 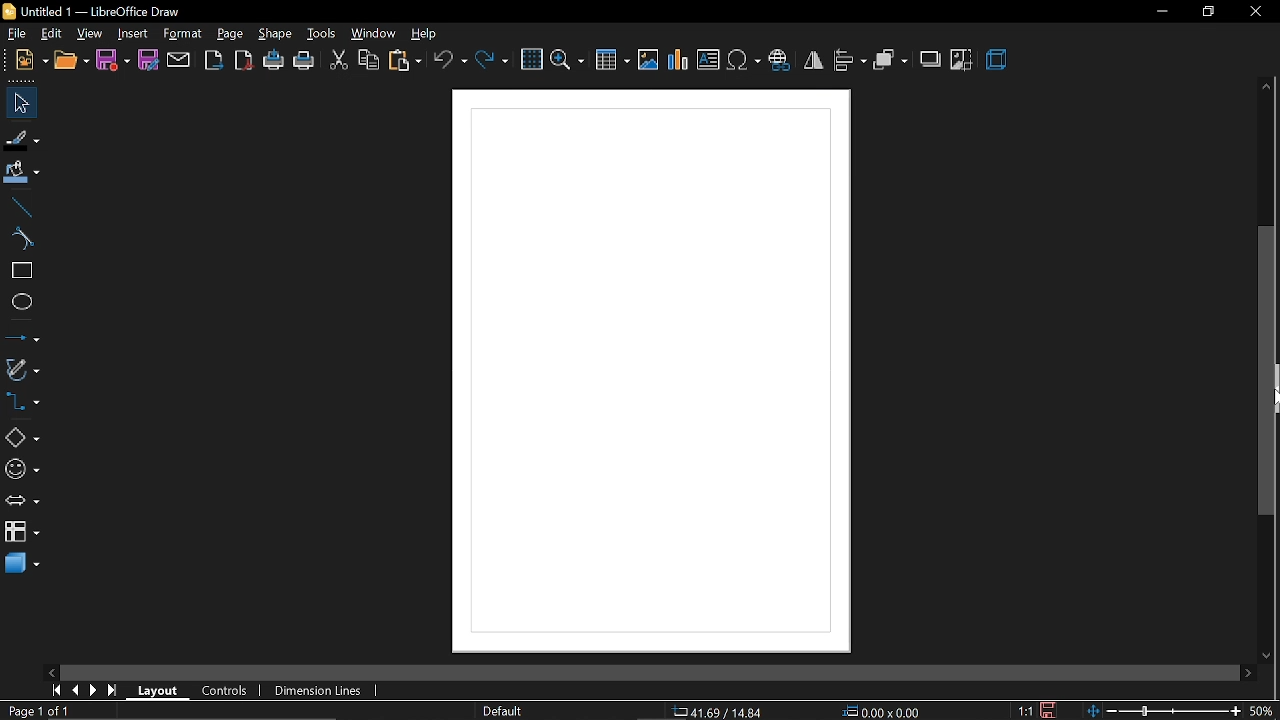 I want to click on insert chart, so click(x=676, y=60).